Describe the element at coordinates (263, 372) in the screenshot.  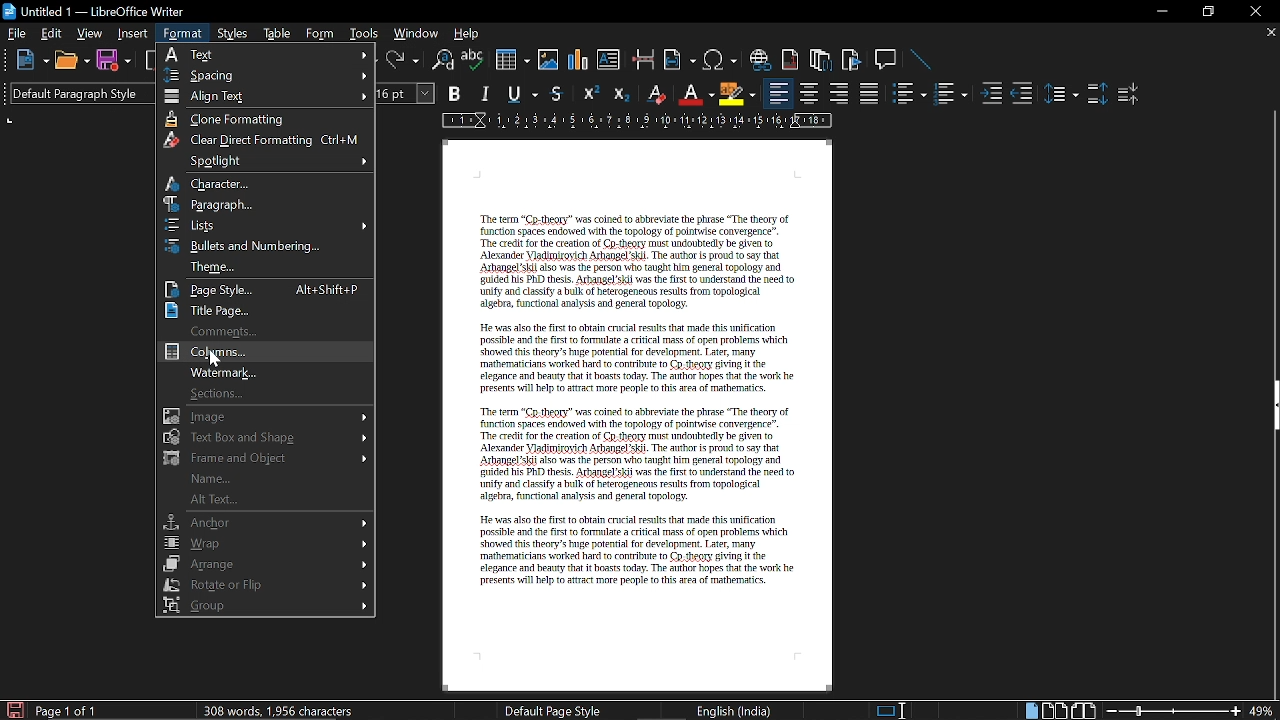
I see `Watermark` at that location.